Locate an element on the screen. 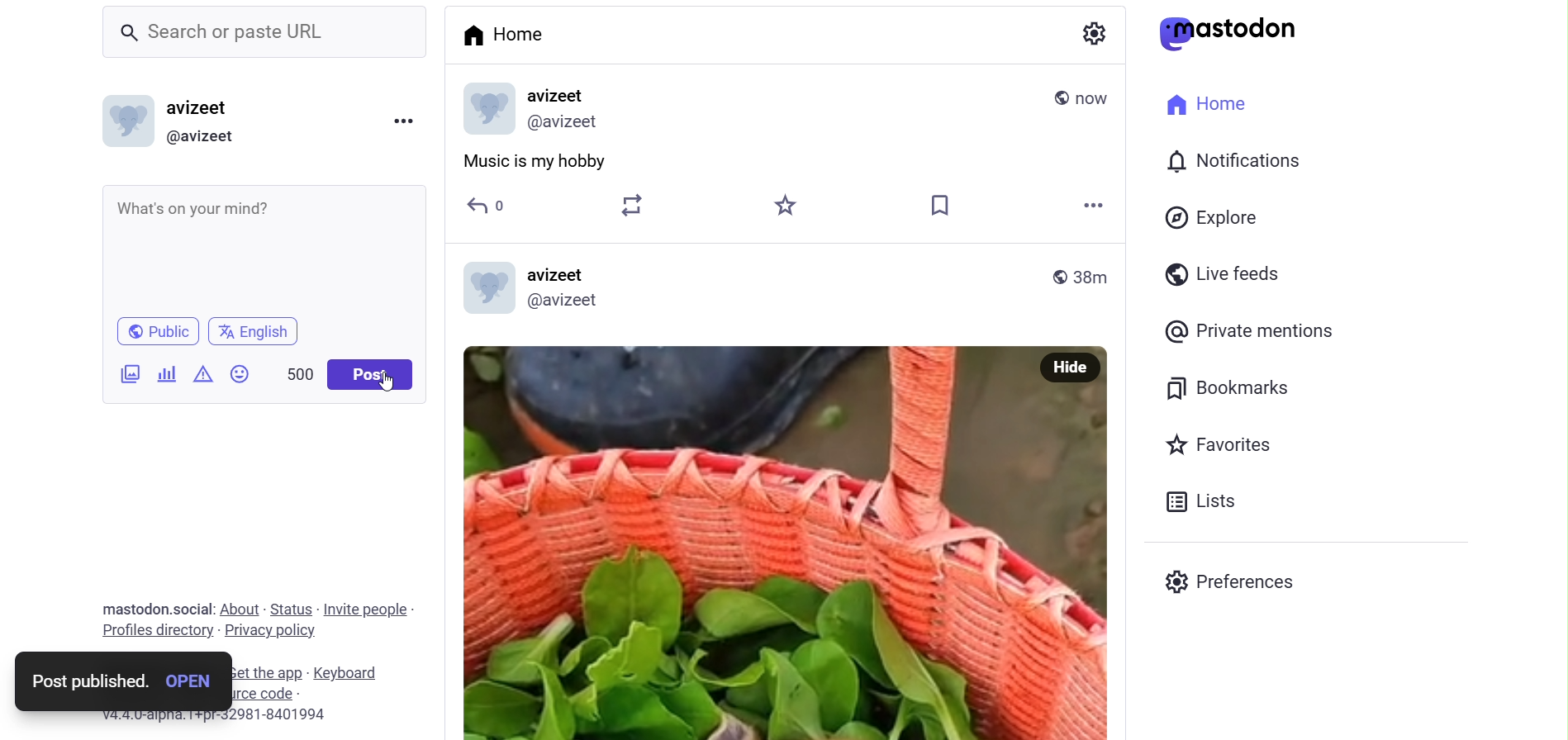 The image size is (1568, 740). Mastodon is located at coordinates (1228, 33).